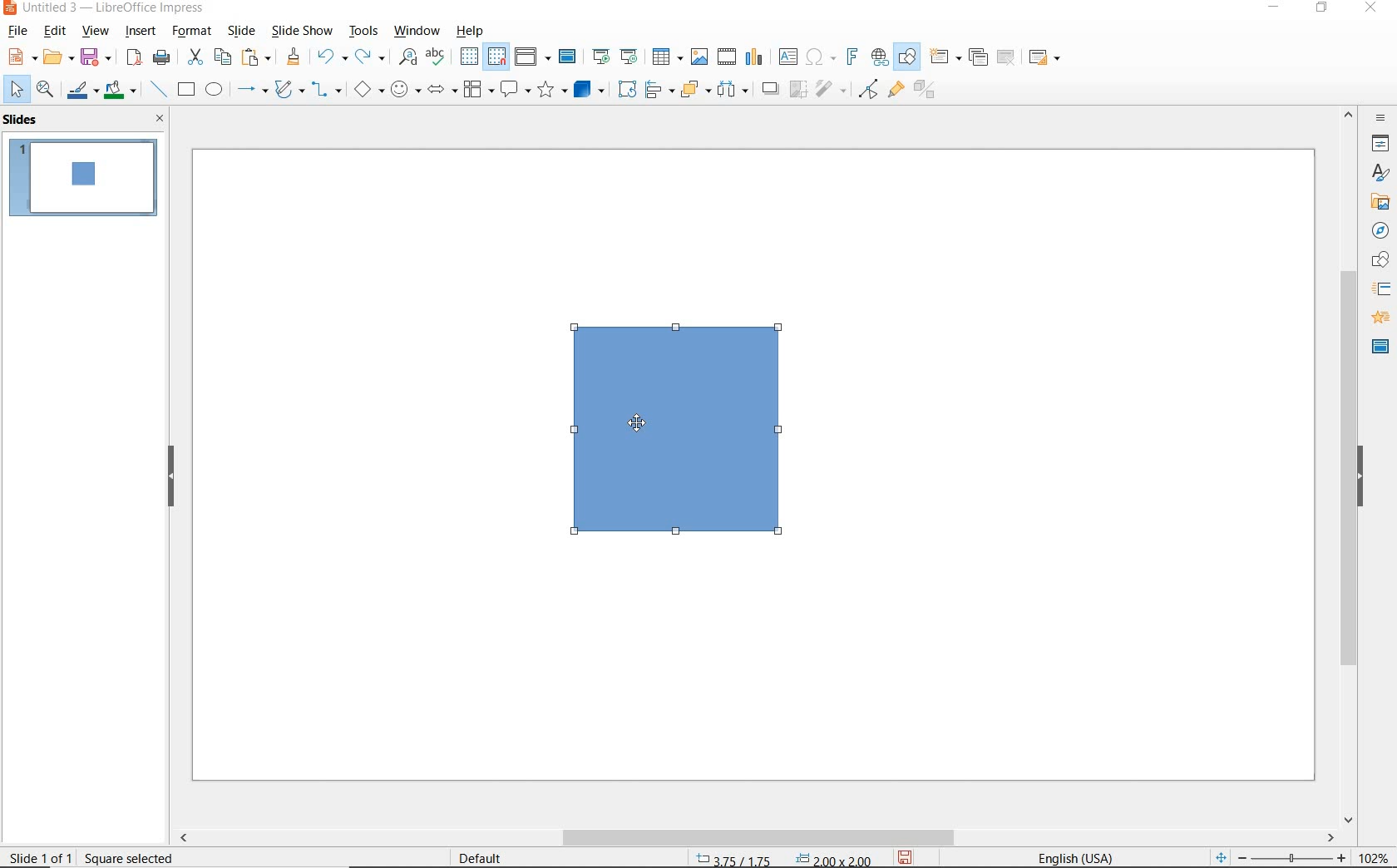 Image resolution: width=1397 pixels, height=868 pixels. What do you see at coordinates (1374, 854) in the screenshot?
I see `zoom factor` at bounding box center [1374, 854].